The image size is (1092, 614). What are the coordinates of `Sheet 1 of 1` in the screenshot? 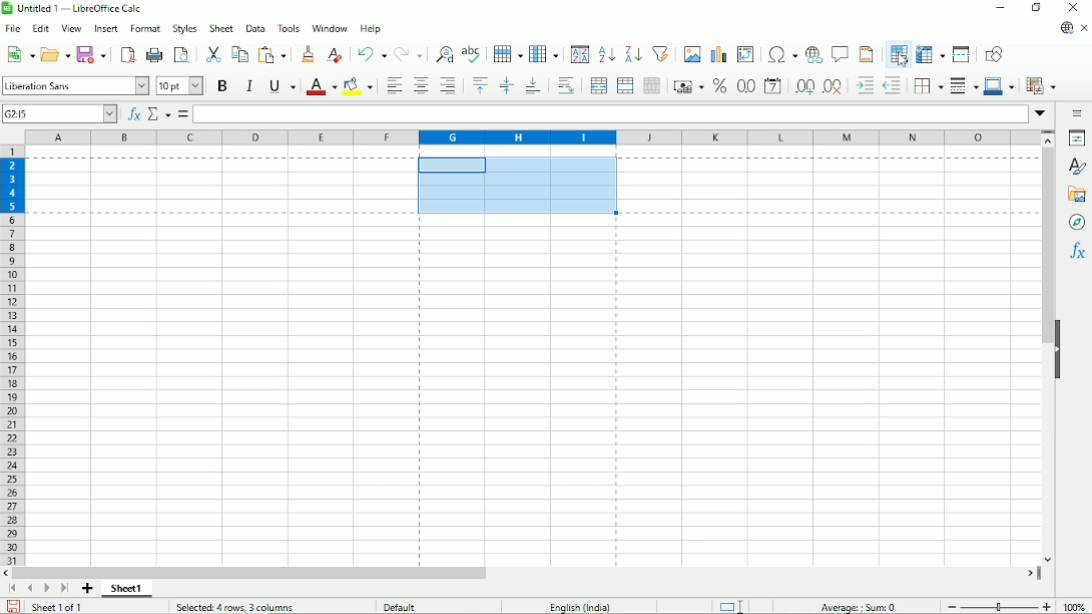 It's located at (59, 607).